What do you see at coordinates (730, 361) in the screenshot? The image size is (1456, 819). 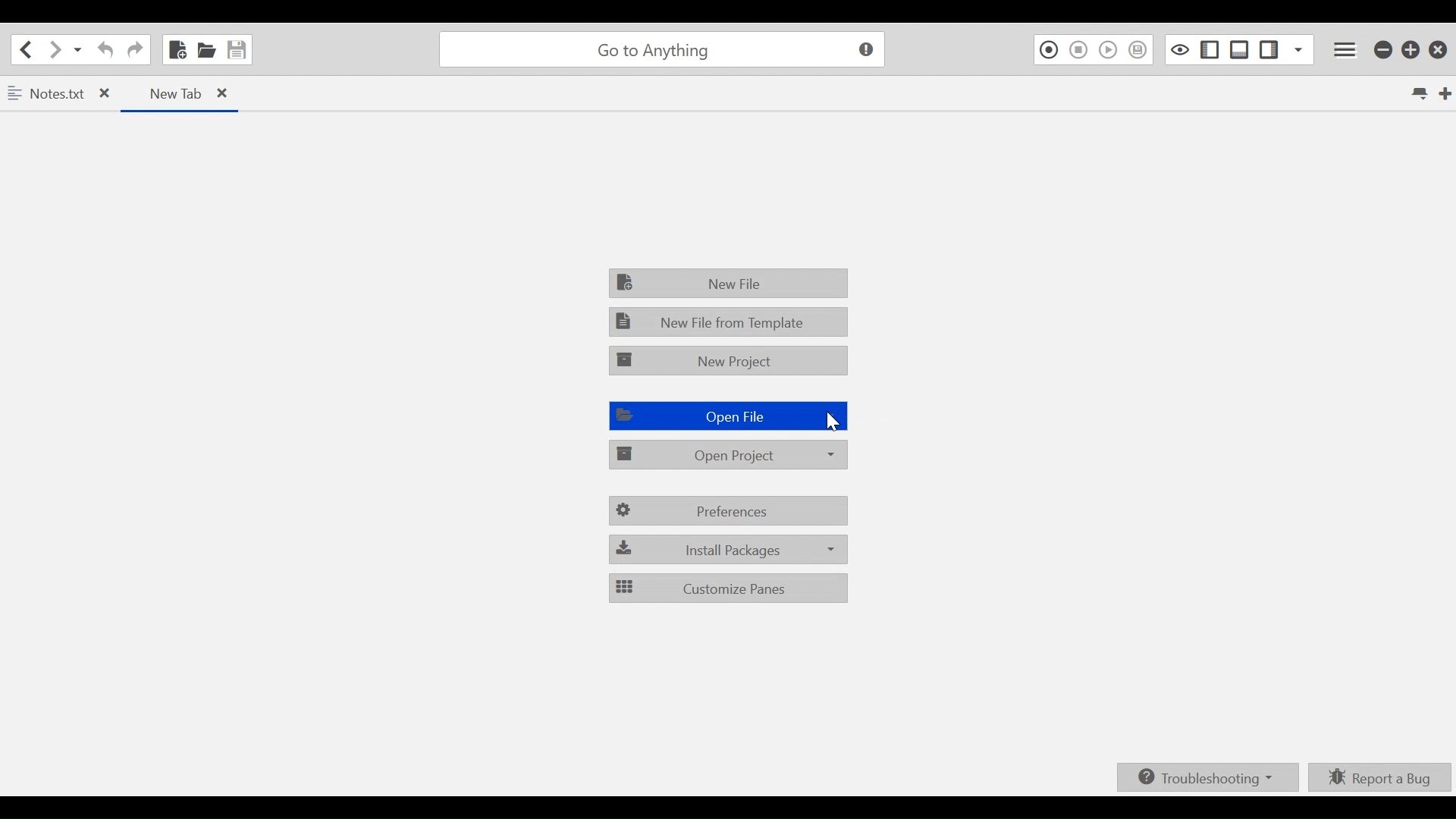 I see `New Project` at bounding box center [730, 361].